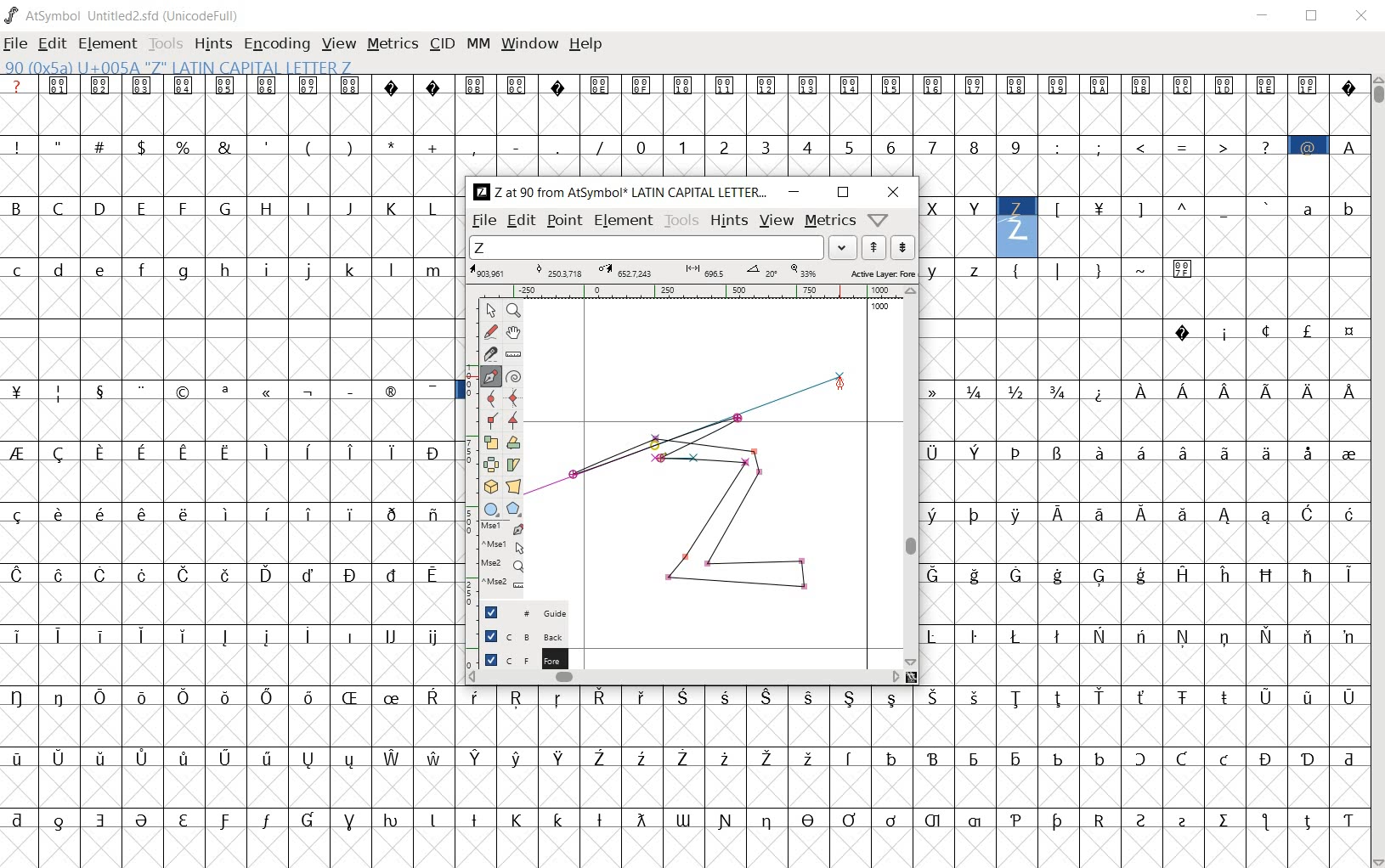  Describe the element at coordinates (830, 222) in the screenshot. I see `metrics` at that location.